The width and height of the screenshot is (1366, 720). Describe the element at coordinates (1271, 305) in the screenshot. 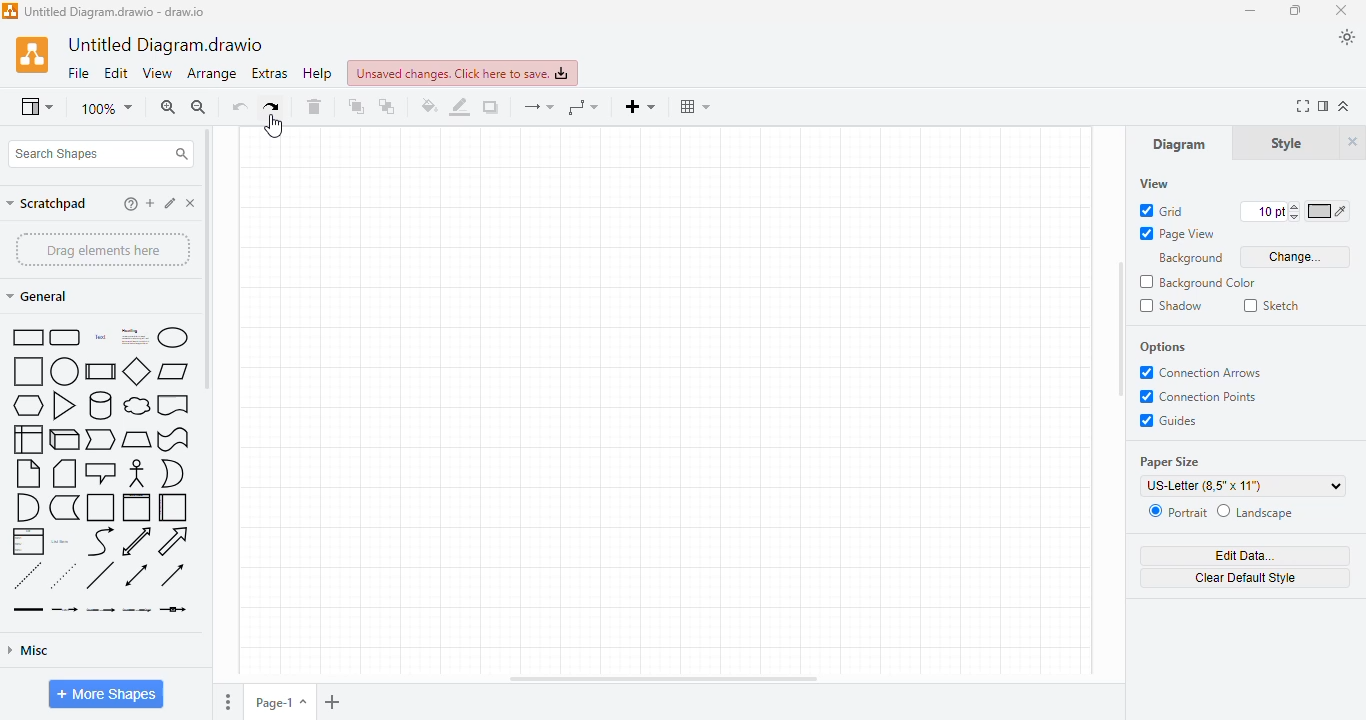

I see `sketch` at that location.